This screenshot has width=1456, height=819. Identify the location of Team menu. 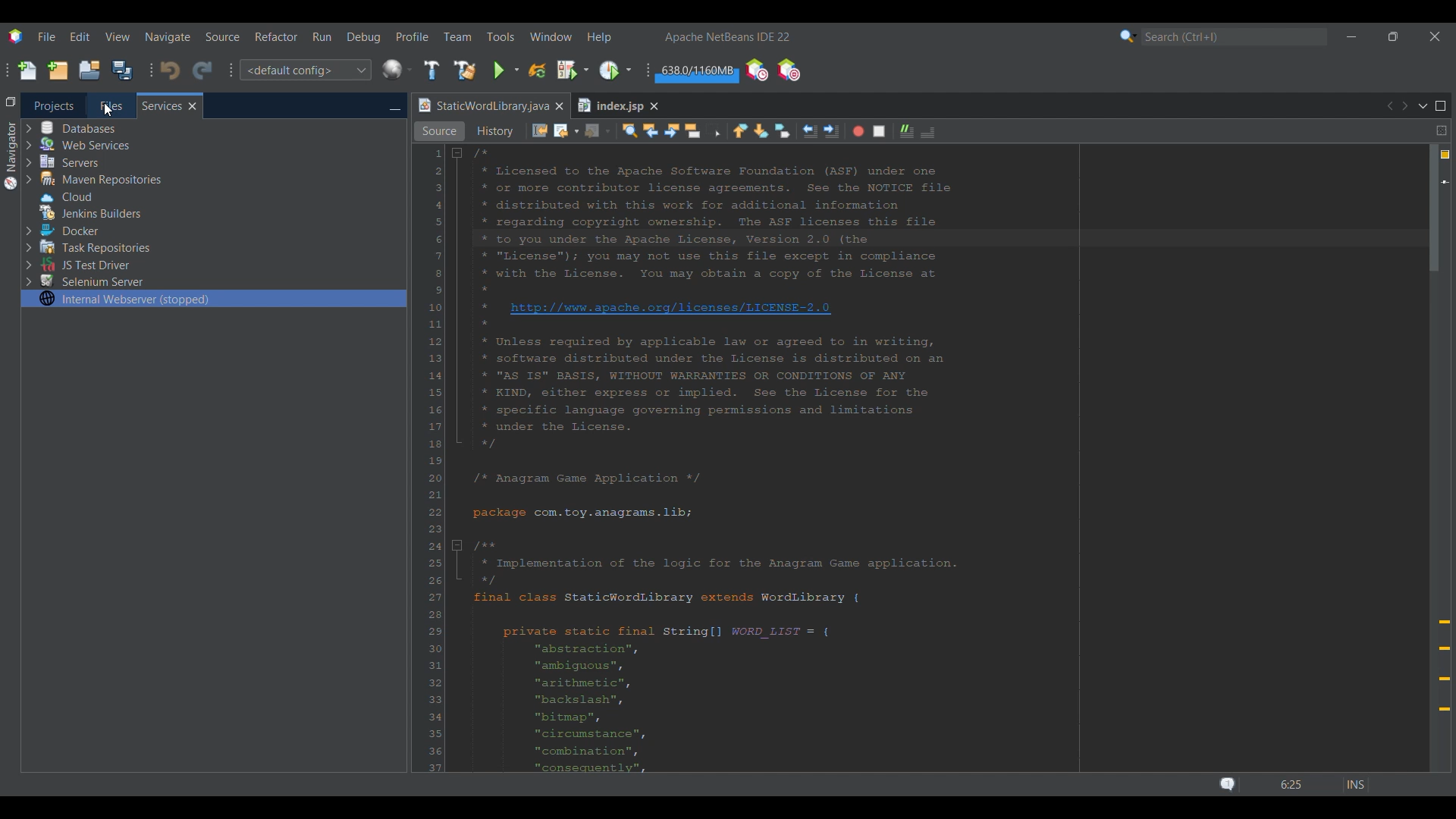
(457, 36).